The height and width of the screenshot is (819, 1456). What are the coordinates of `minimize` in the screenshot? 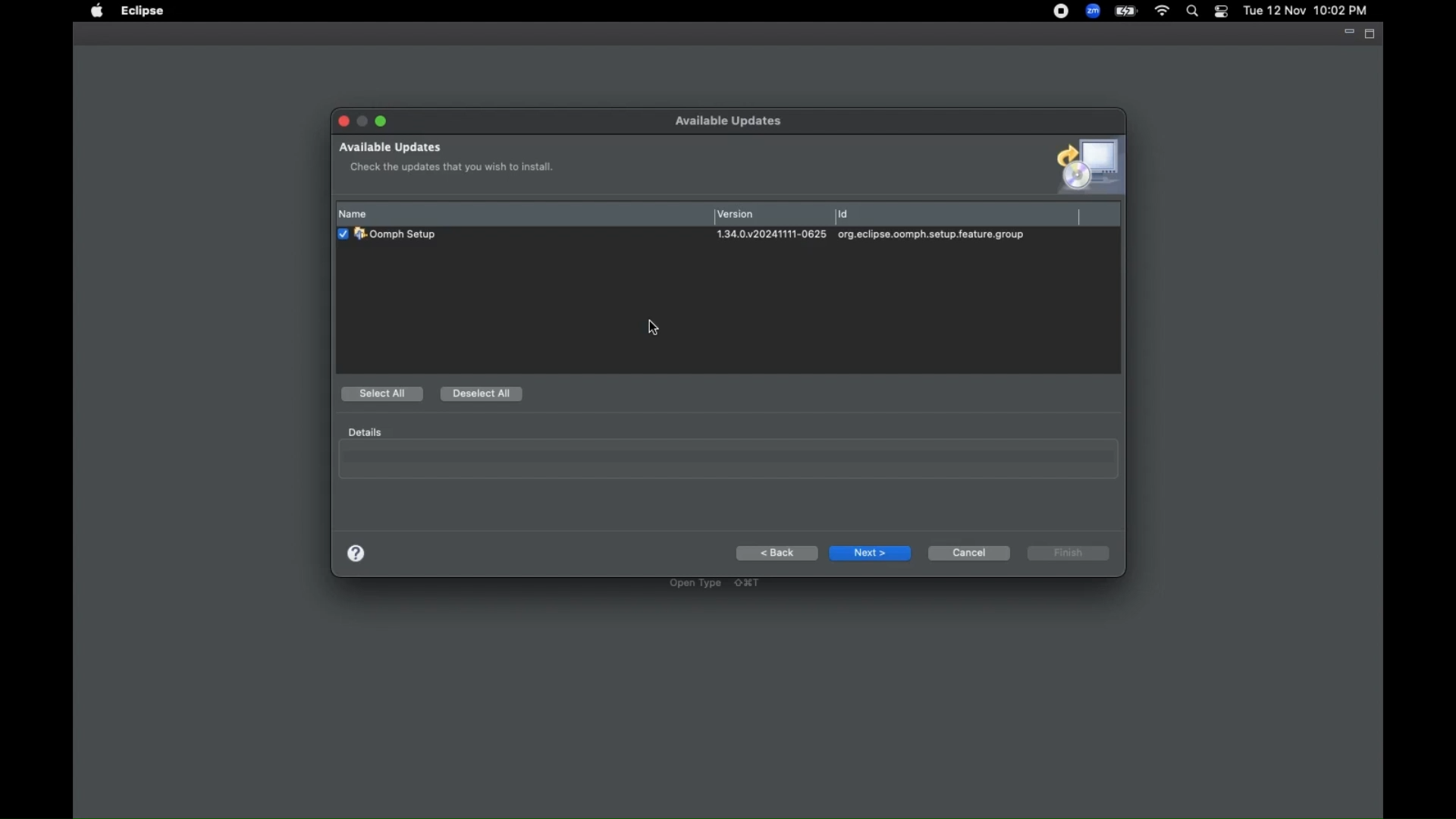 It's located at (364, 119).